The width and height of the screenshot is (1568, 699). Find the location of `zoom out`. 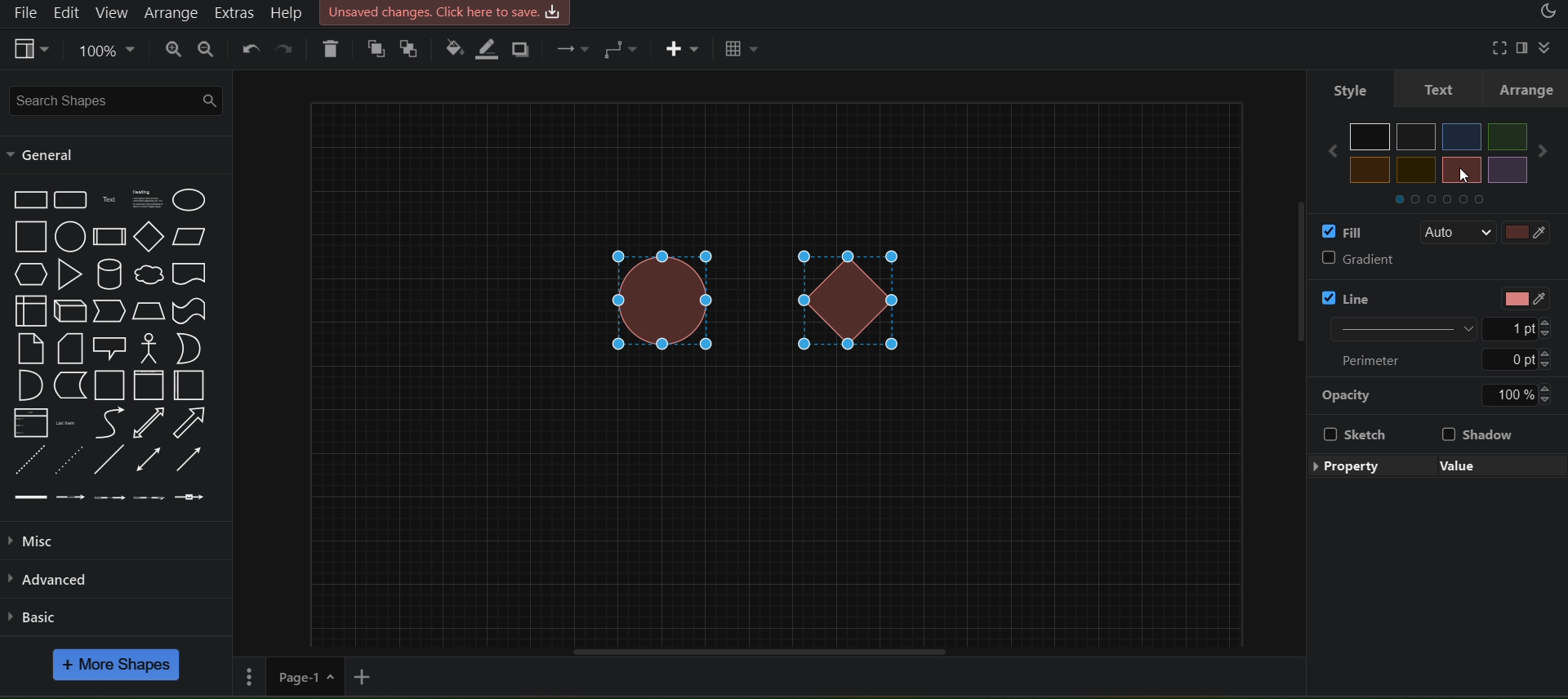

zoom out is located at coordinates (207, 48).